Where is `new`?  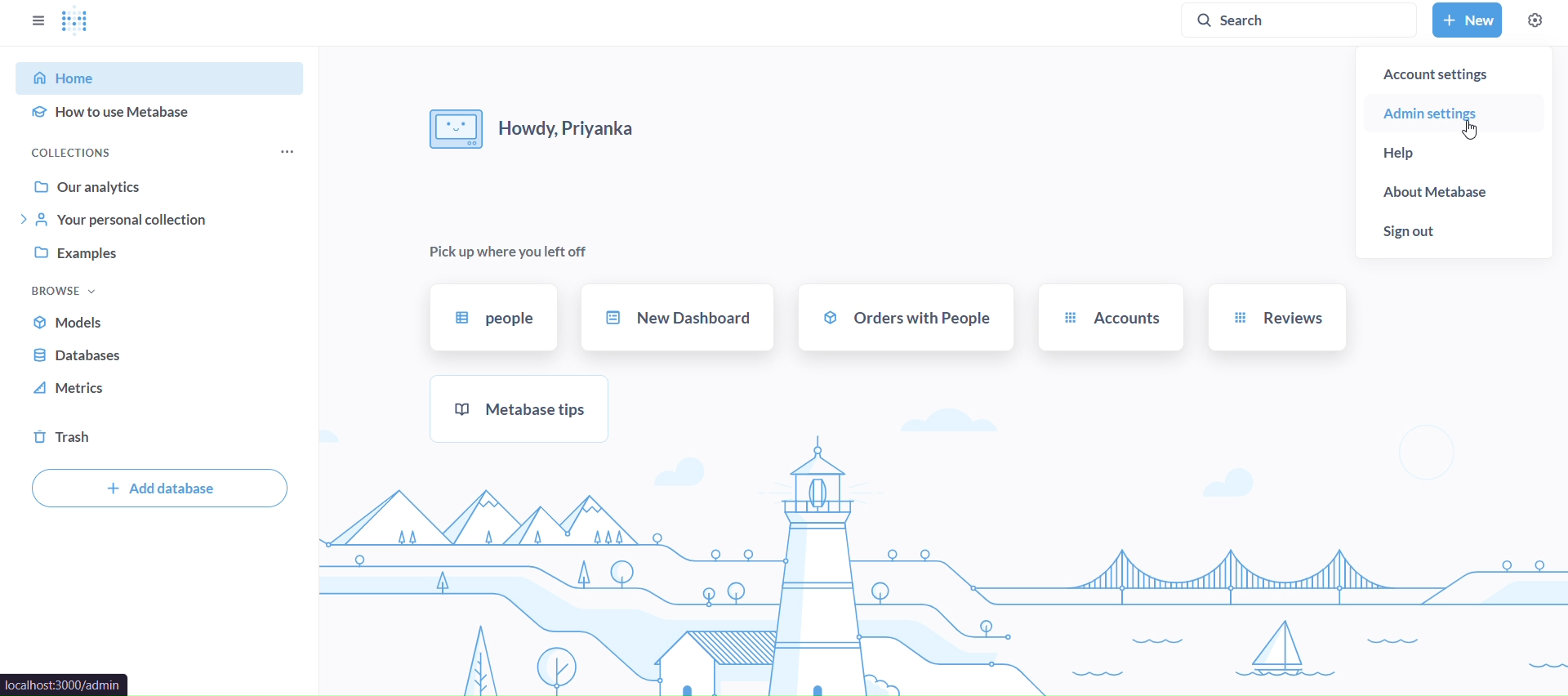 new is located at coordinates (1467, 20).